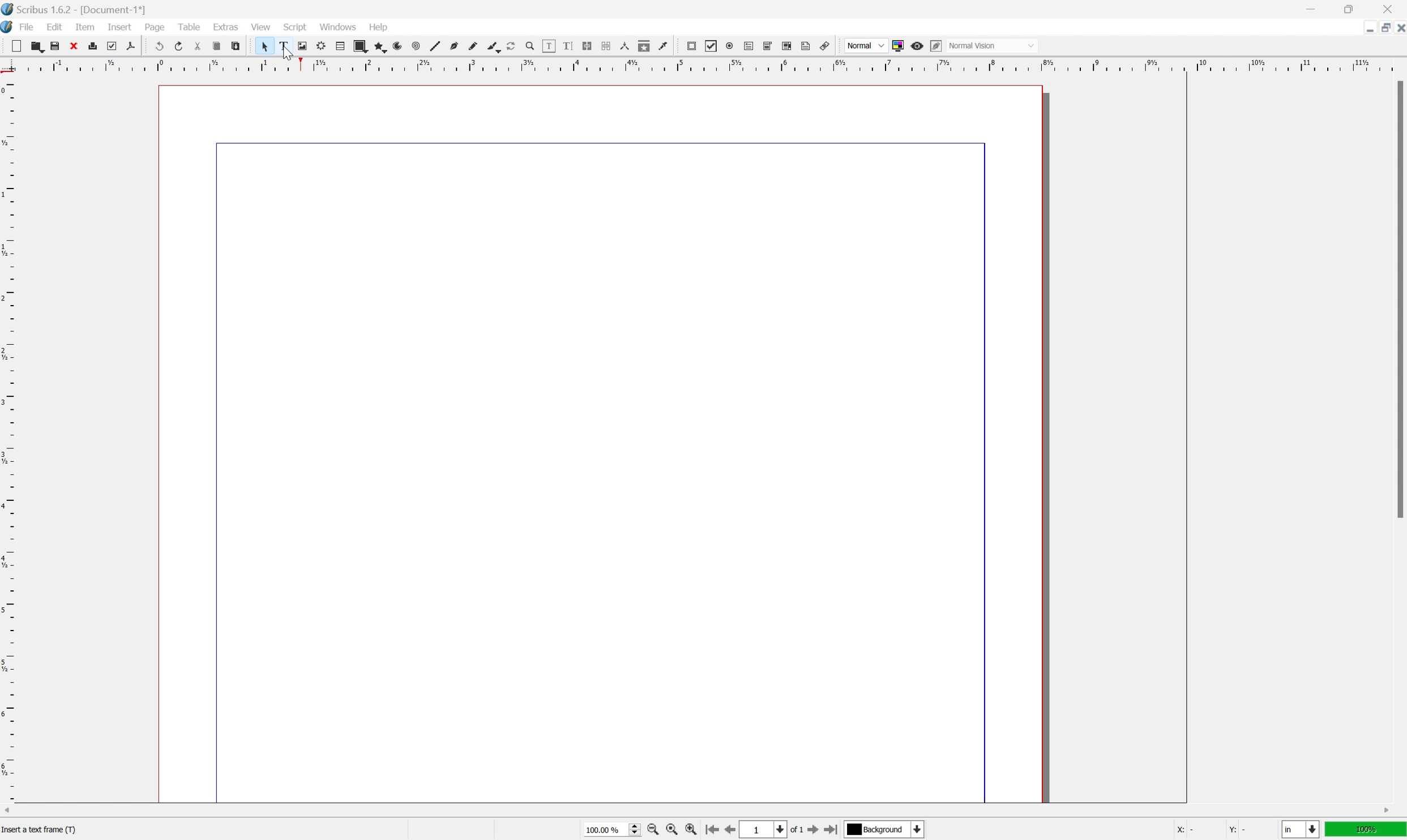 The height and width of the screenshot is (840, 1407). I want to click on preflight verifier, so click(112, 45).